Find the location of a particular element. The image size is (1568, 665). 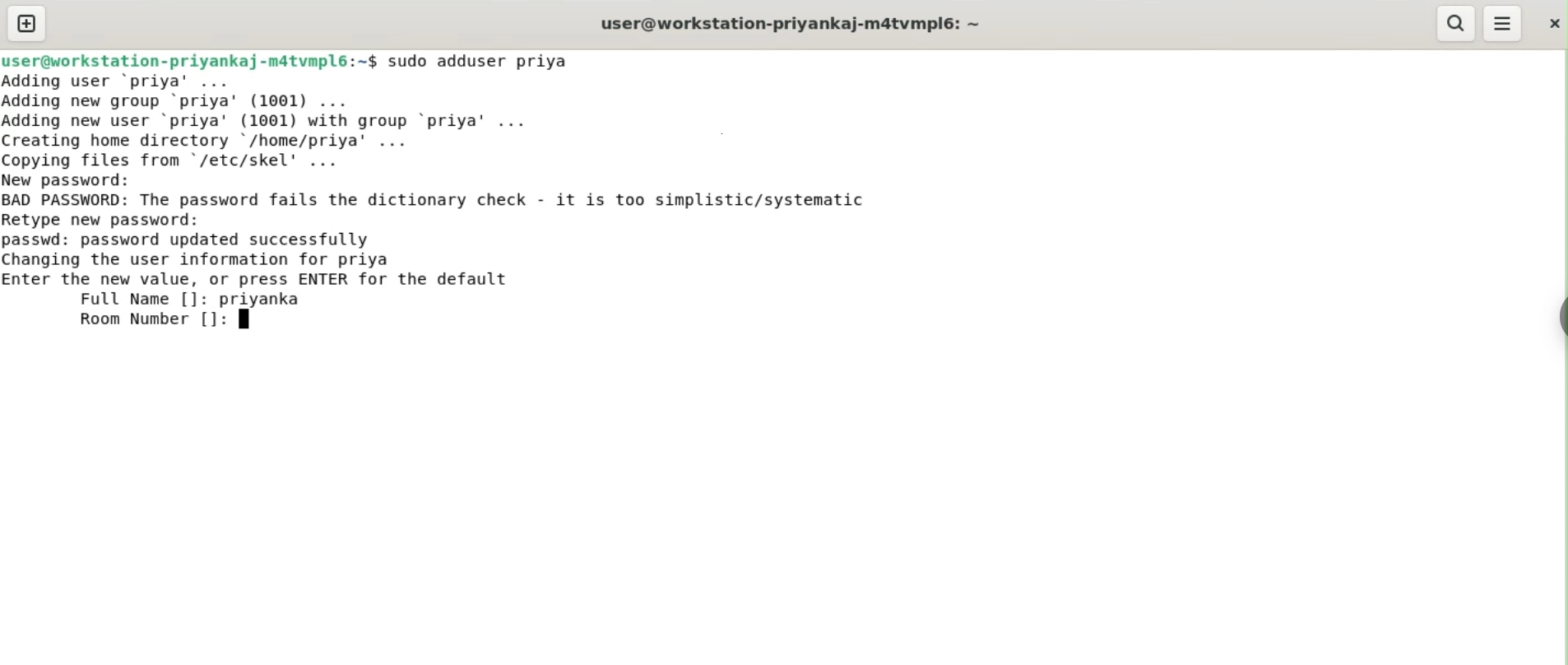

search is located at coordinates (1454, 23).